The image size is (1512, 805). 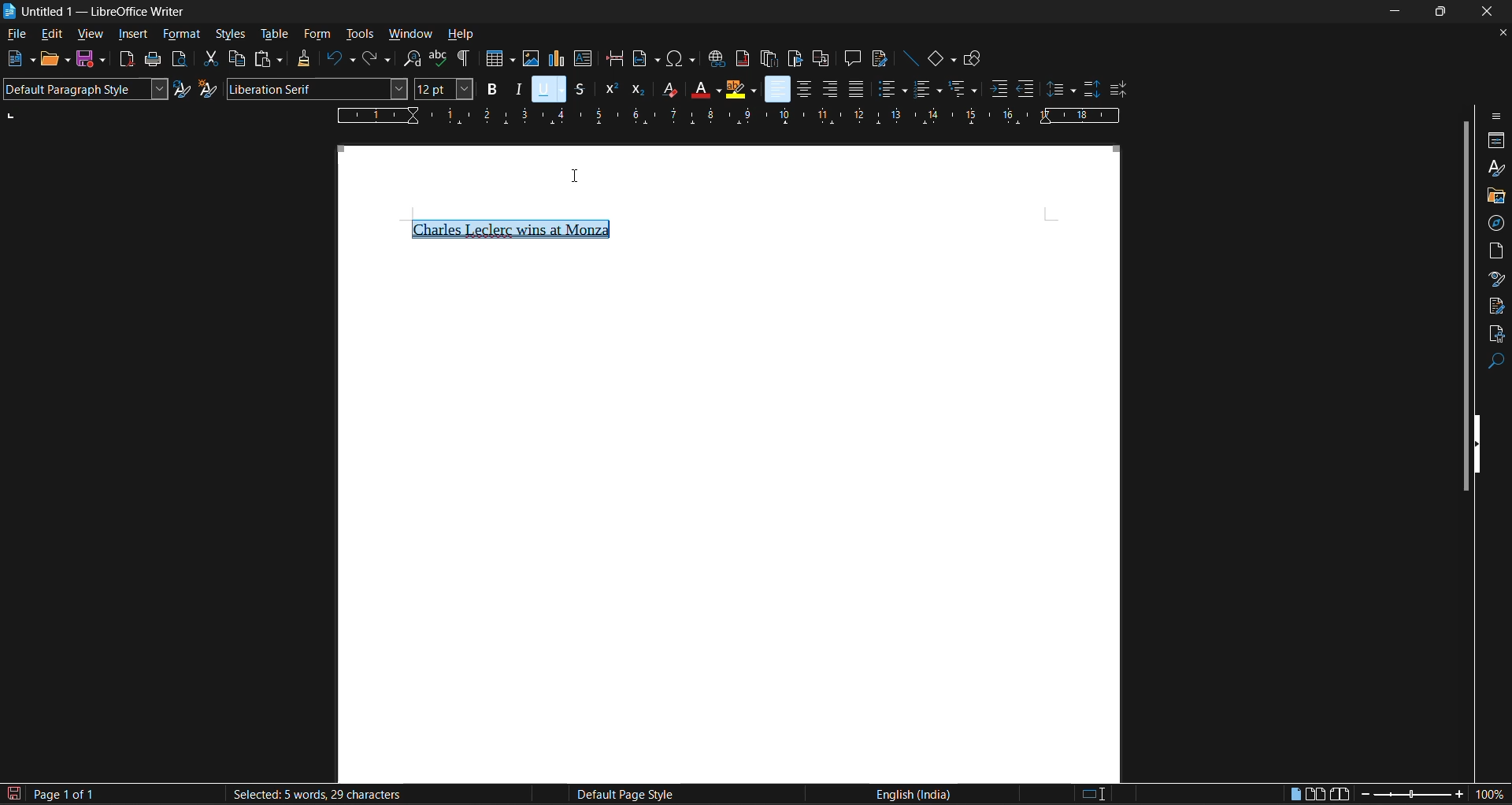 What do you see at coordinates (1494, 167) in the screenshot?
I see `styles` at bounding box center [1494, 167].